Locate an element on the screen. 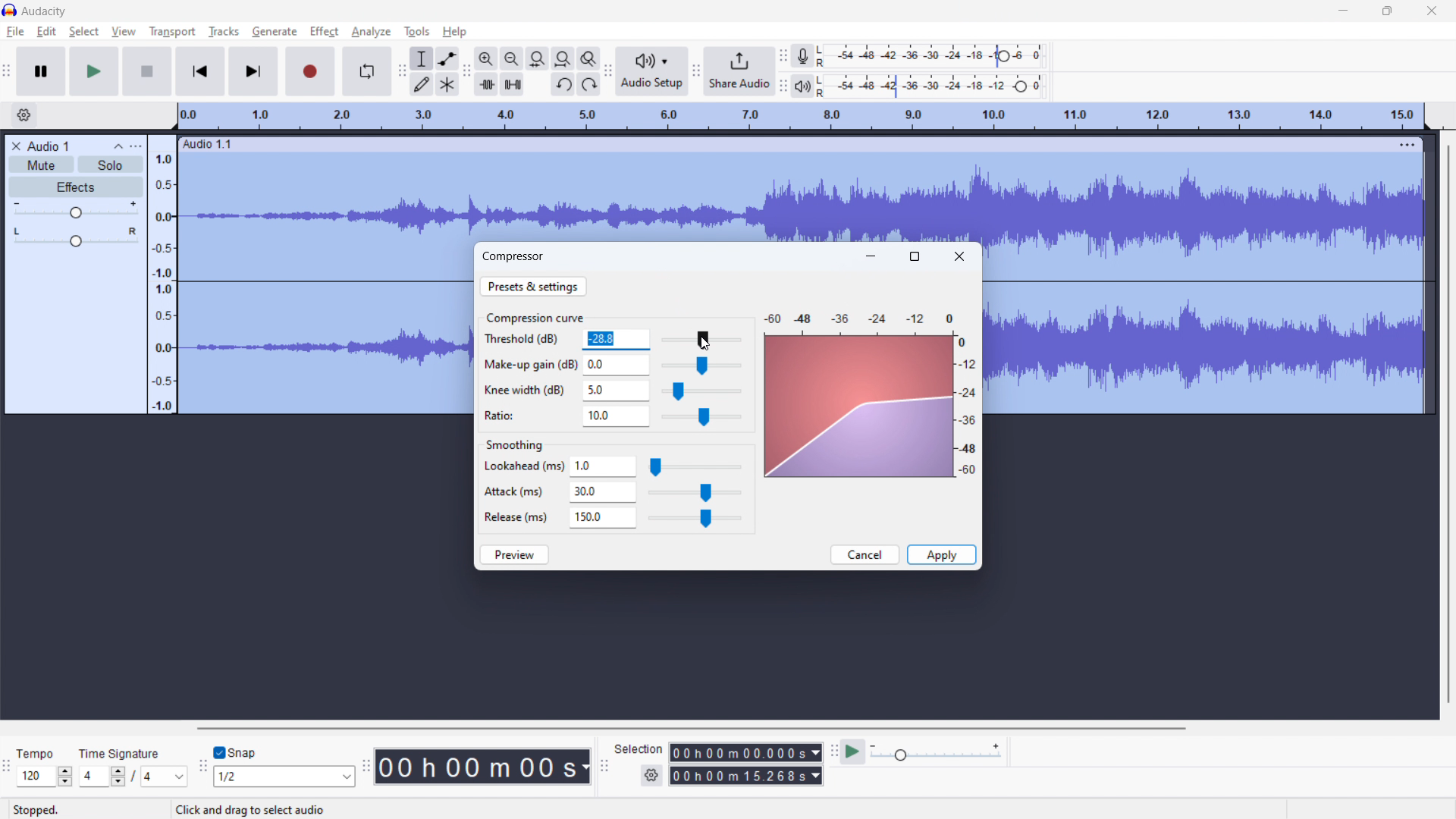 The image size is (1456, 819). 00h00m15.268s (end time) is located at coordinates (746, 776).